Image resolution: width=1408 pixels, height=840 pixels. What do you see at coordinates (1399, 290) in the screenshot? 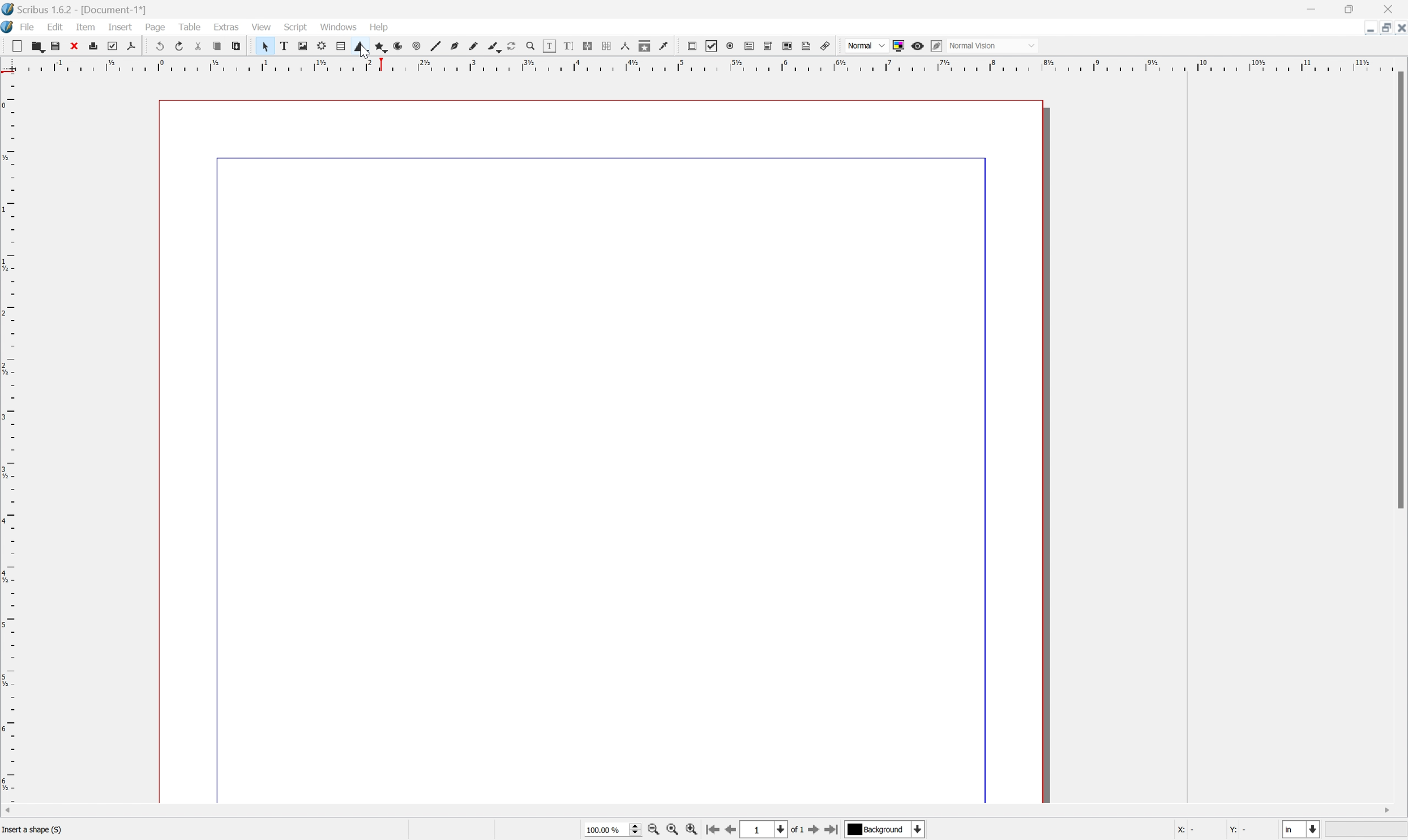
I see `Scroll Bar` at bounding box center [1399, 290].